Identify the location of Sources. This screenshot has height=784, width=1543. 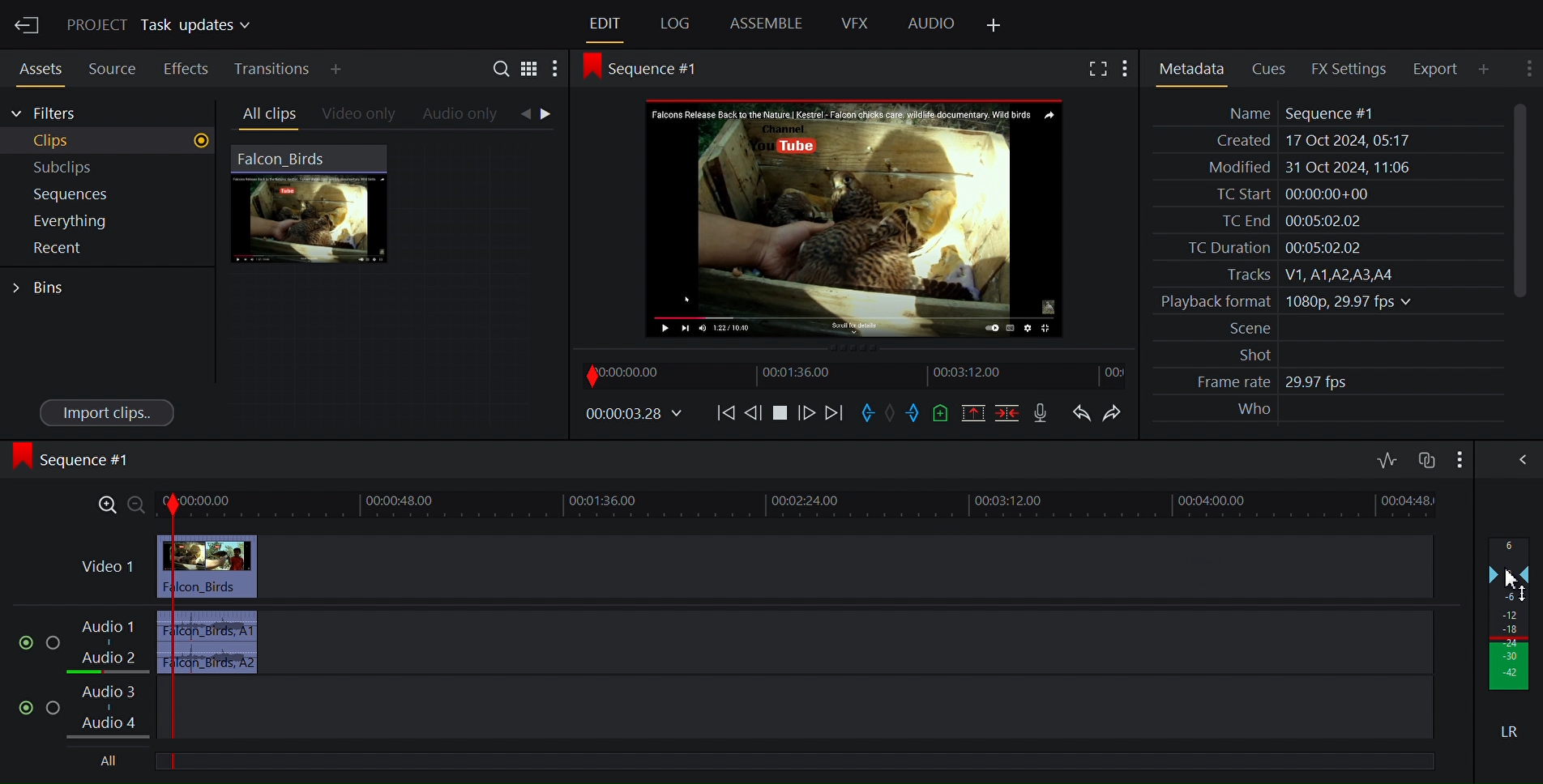
(109, 70).